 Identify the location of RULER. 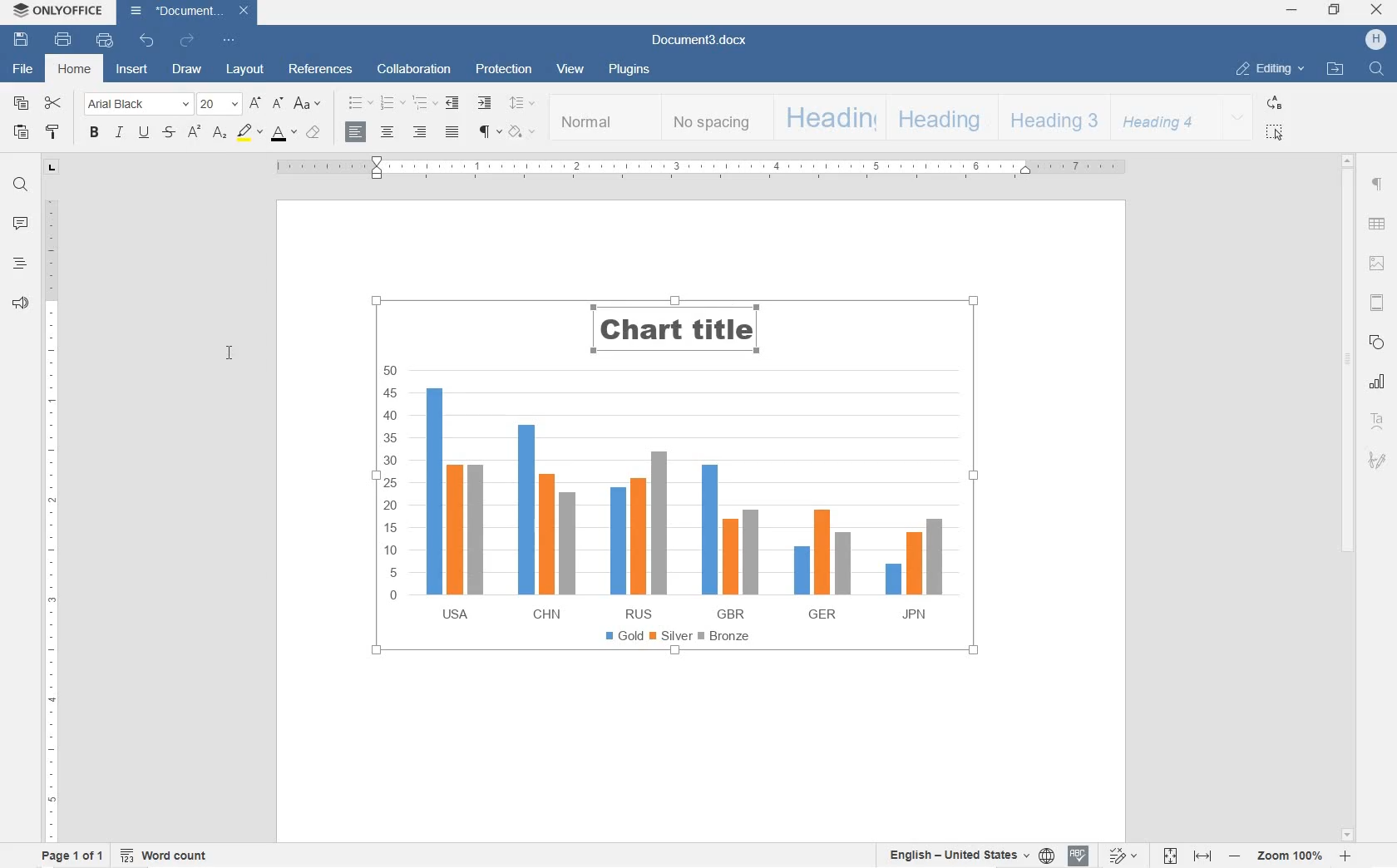
(51, 517).